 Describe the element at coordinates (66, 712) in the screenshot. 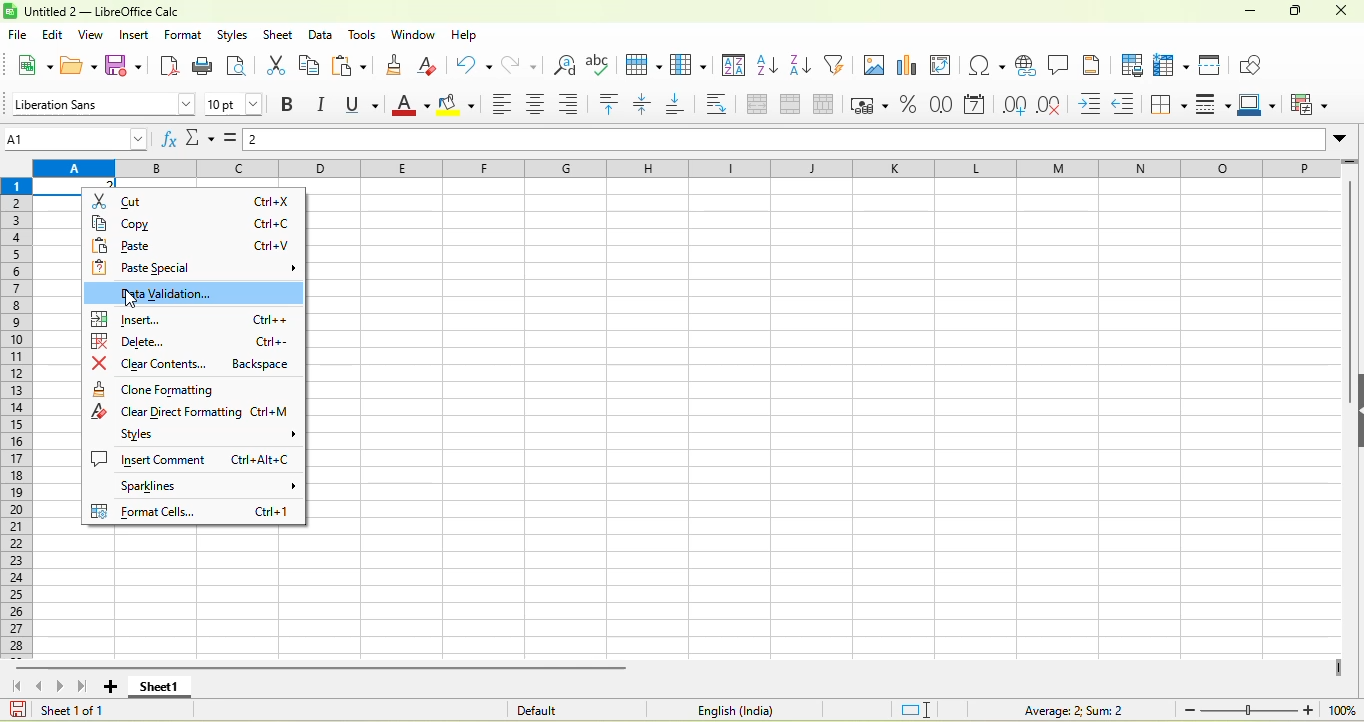

I see `sheet 1 0f 1` at that location.